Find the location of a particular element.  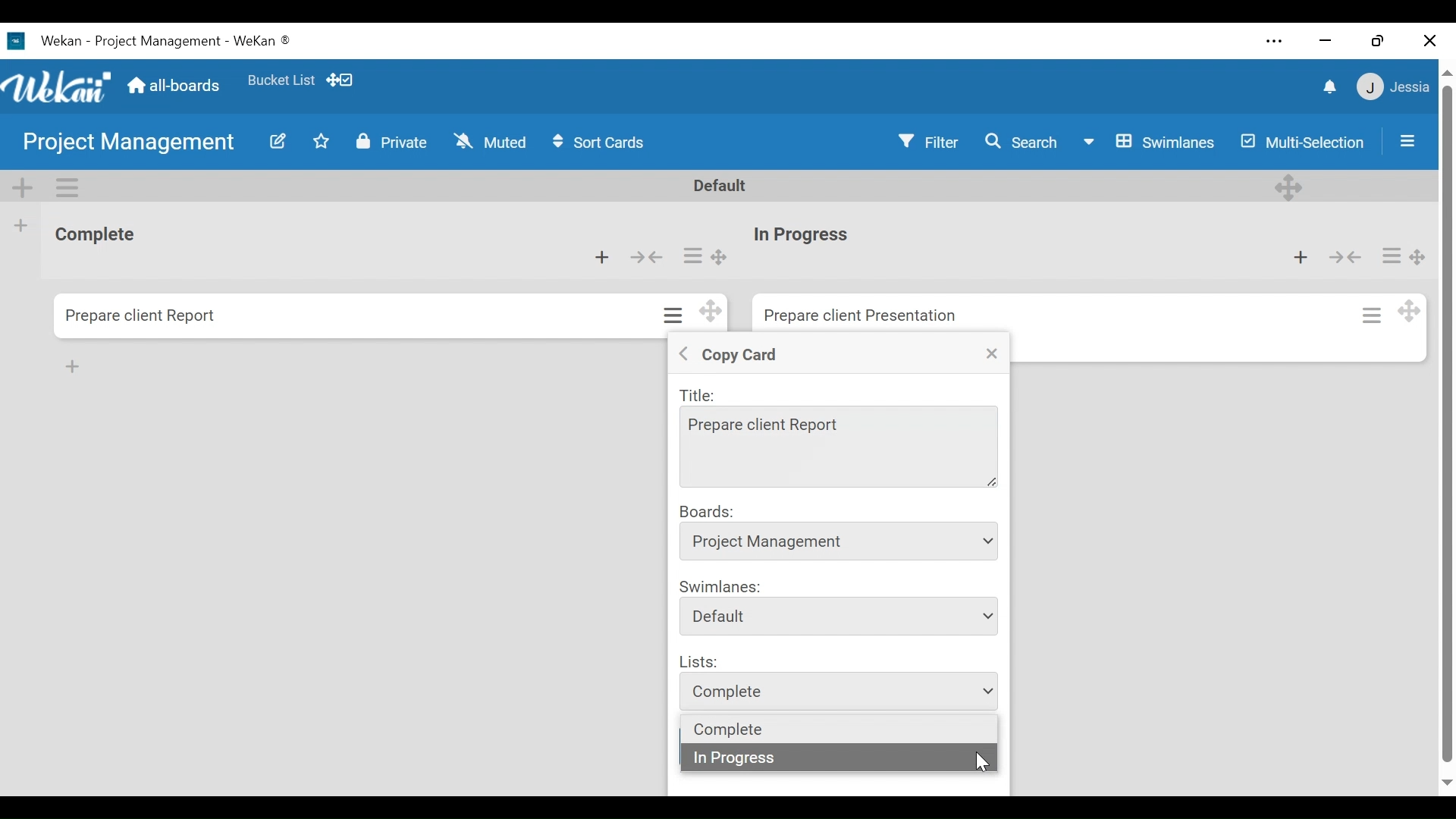

Add card to top of the list is located at coordinates (1305, 257).